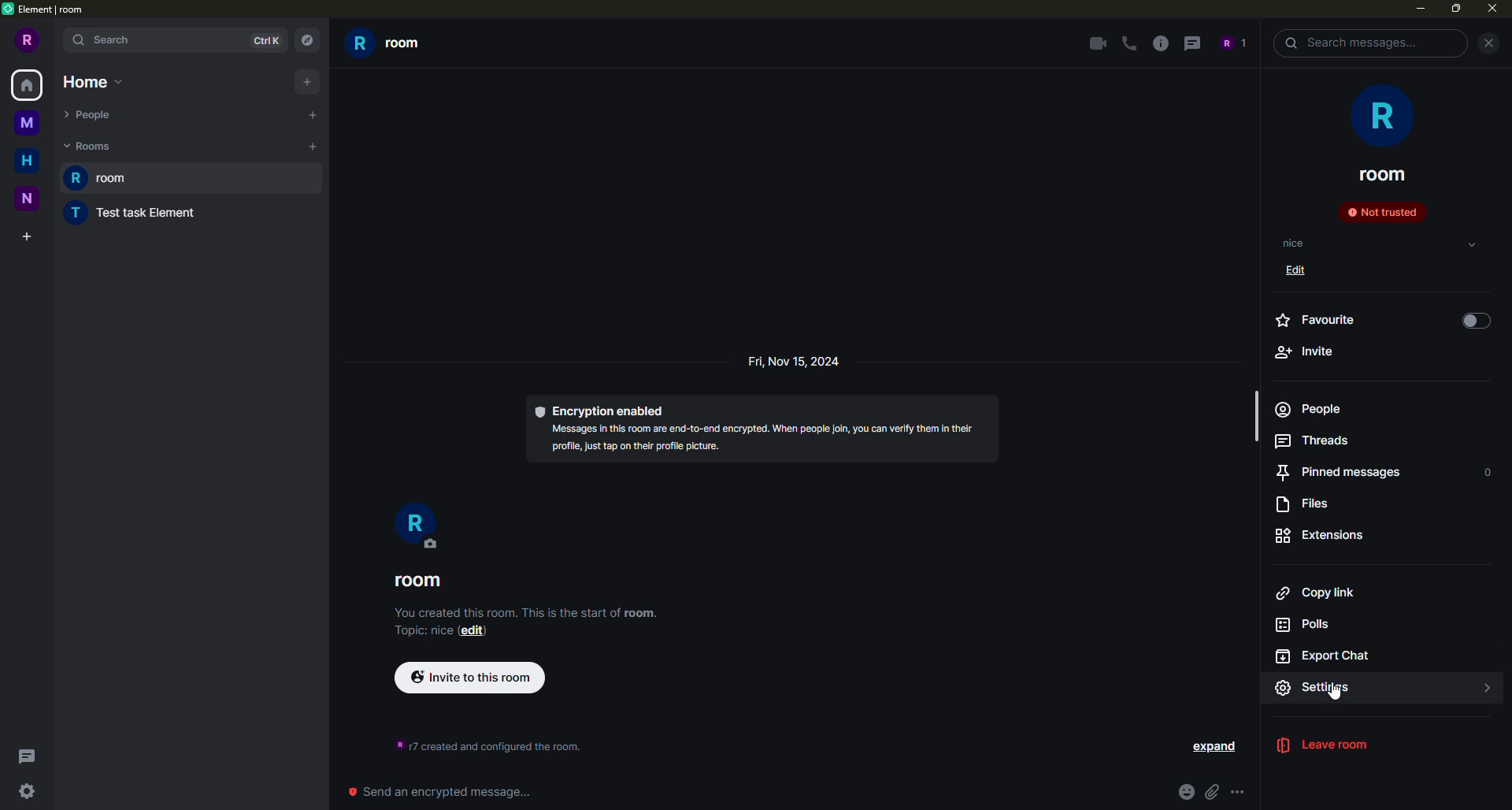  Describe the element at coordinates (773, 433) in the screenshot. I see `encryption enabled` at that location.